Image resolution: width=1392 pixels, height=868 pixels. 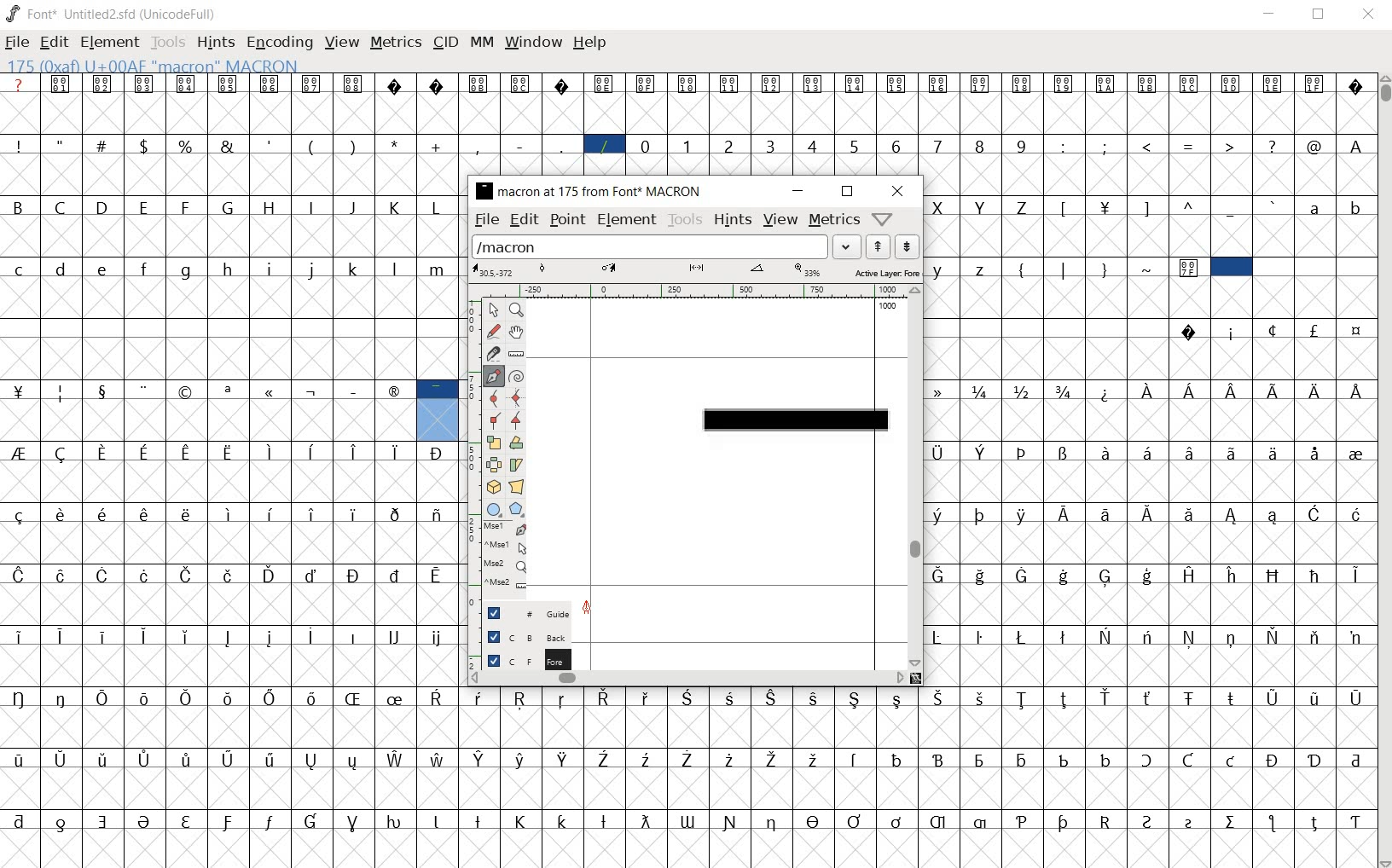 What do you see at coordinates (628, 221) in the screenshot?
I see `element` at bounding box center [628, 221].